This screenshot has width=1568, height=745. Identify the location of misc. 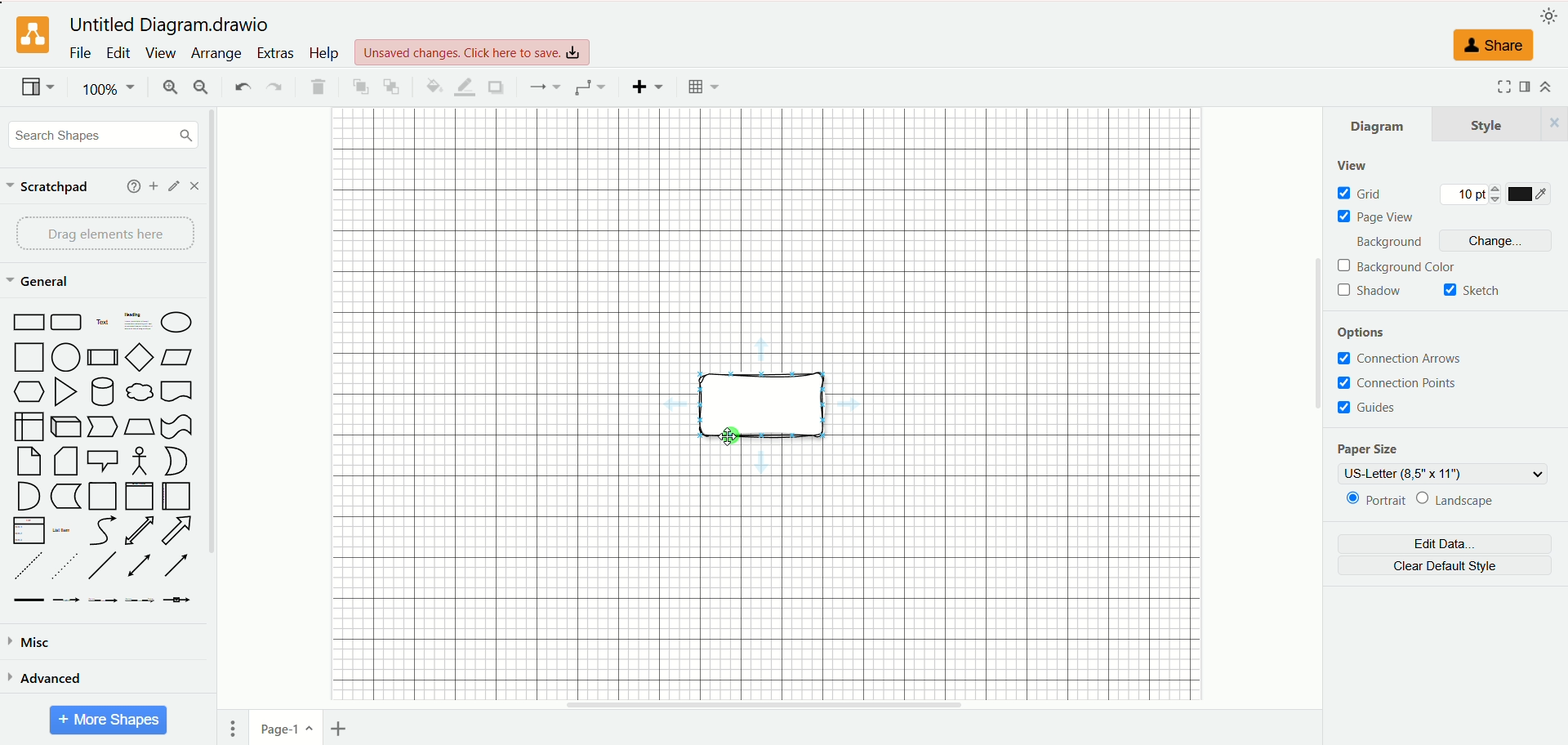
(31, 643).